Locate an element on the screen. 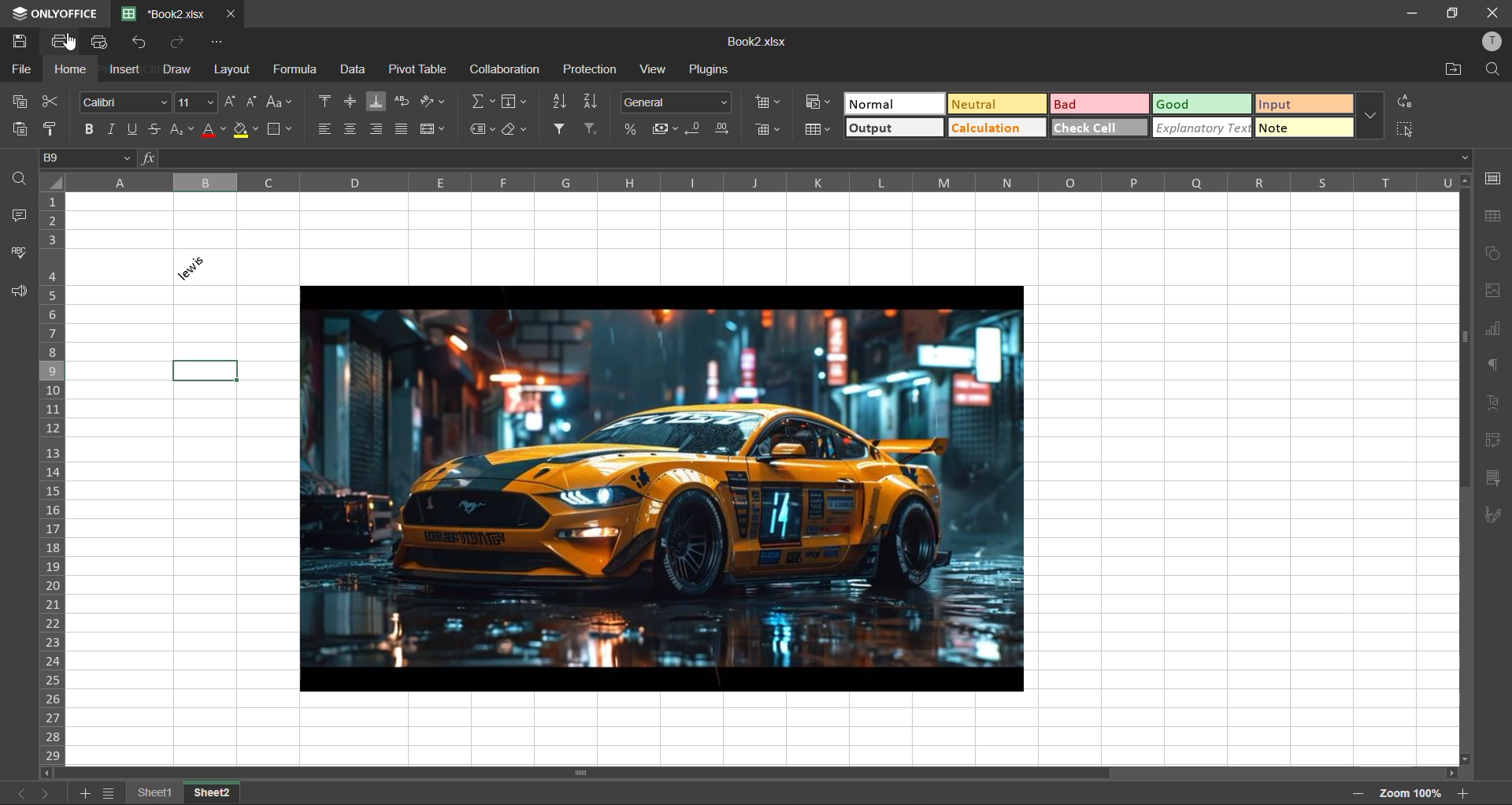 The height and width of the screenshot is (805, 1512). scroll right is located at coordinates (1447, 773).